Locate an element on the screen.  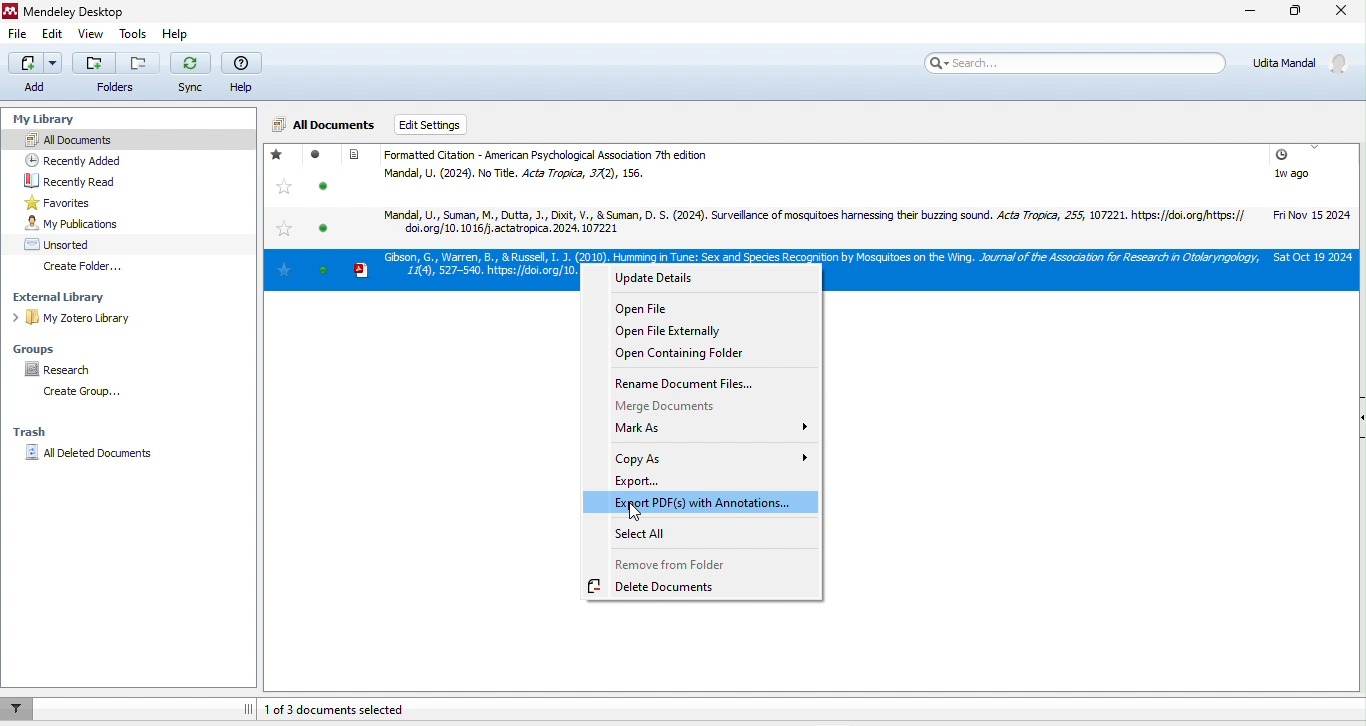
help is located at coordinates (245, 73).